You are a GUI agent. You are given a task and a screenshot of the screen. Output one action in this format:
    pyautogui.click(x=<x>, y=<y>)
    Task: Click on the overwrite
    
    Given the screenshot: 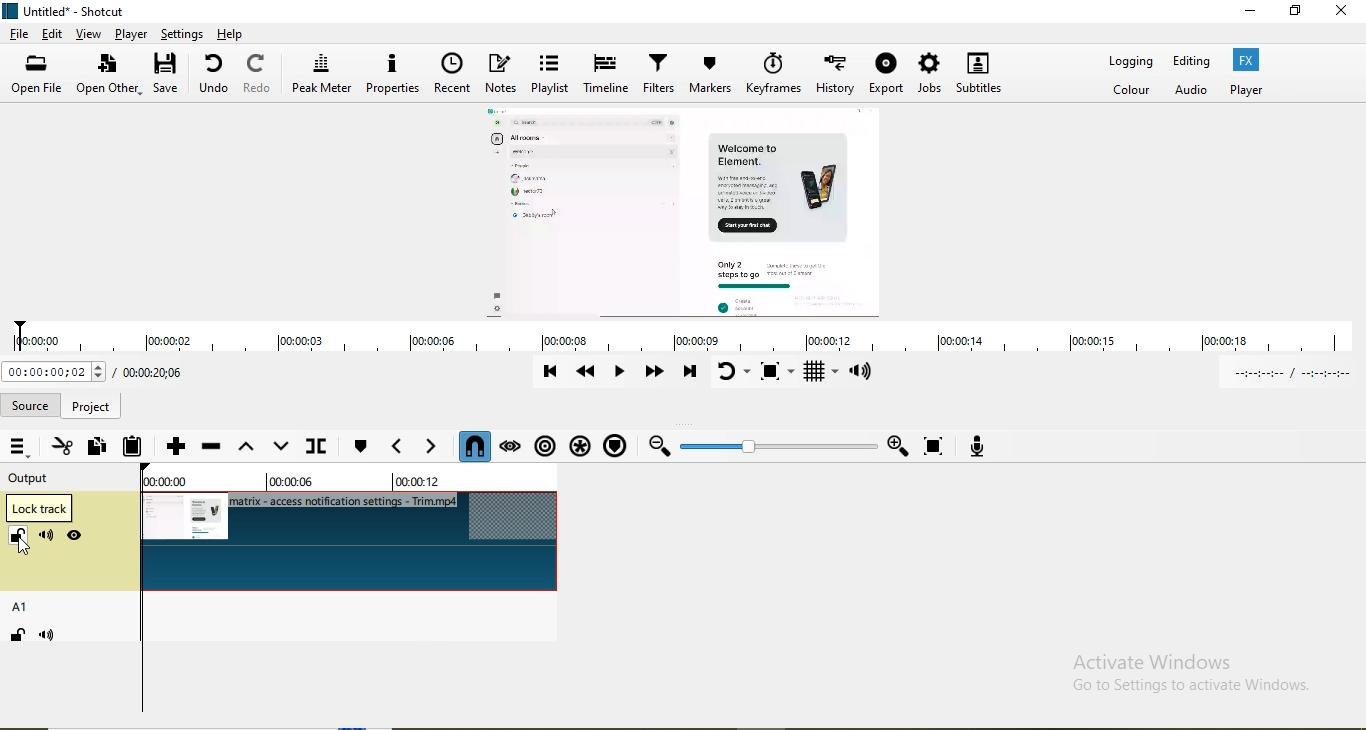 What is the action you would take?
    pyautogui.click(x=282, y=445)
    